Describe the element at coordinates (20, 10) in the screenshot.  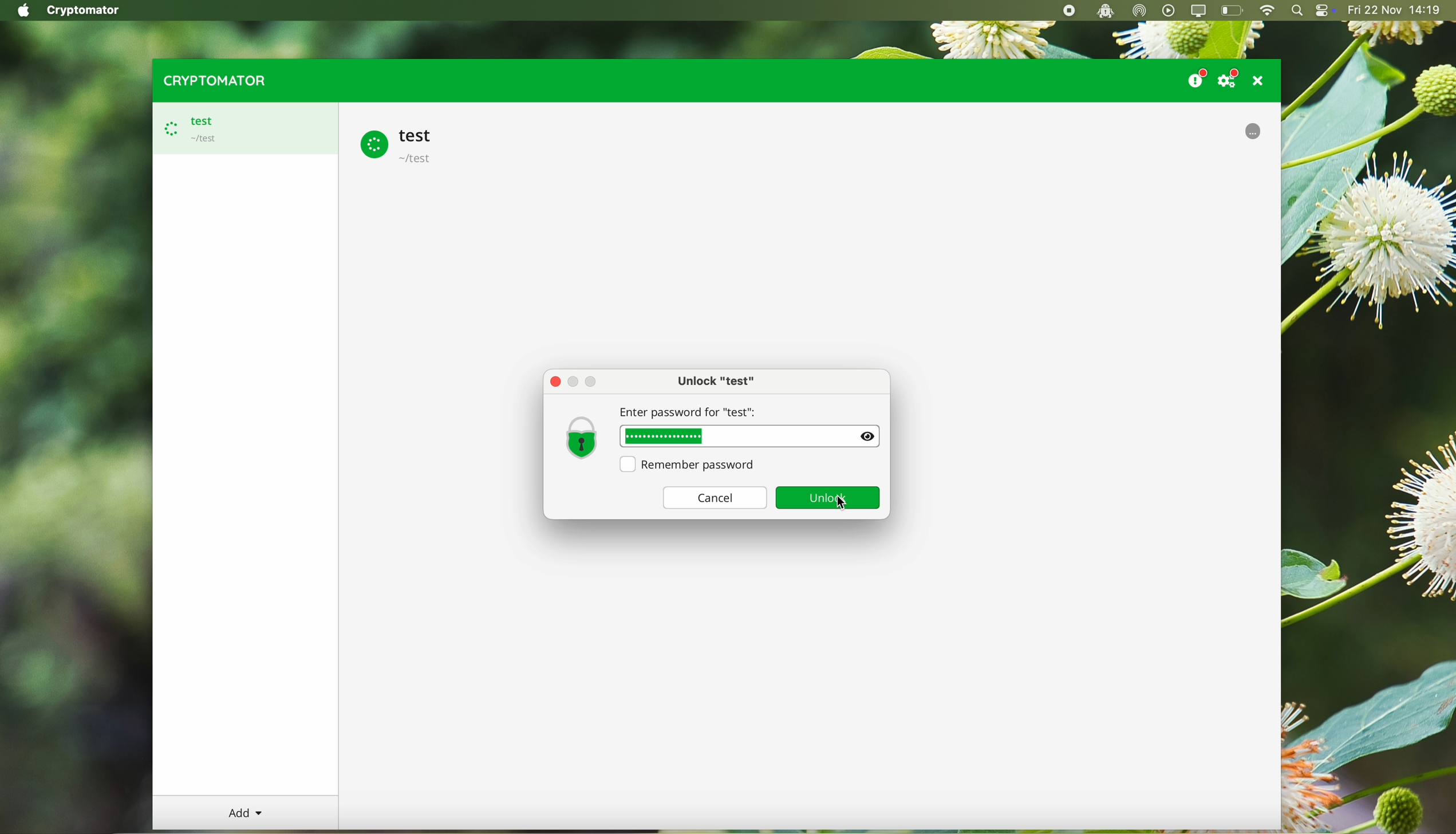
I see `Apple icon` at that location.